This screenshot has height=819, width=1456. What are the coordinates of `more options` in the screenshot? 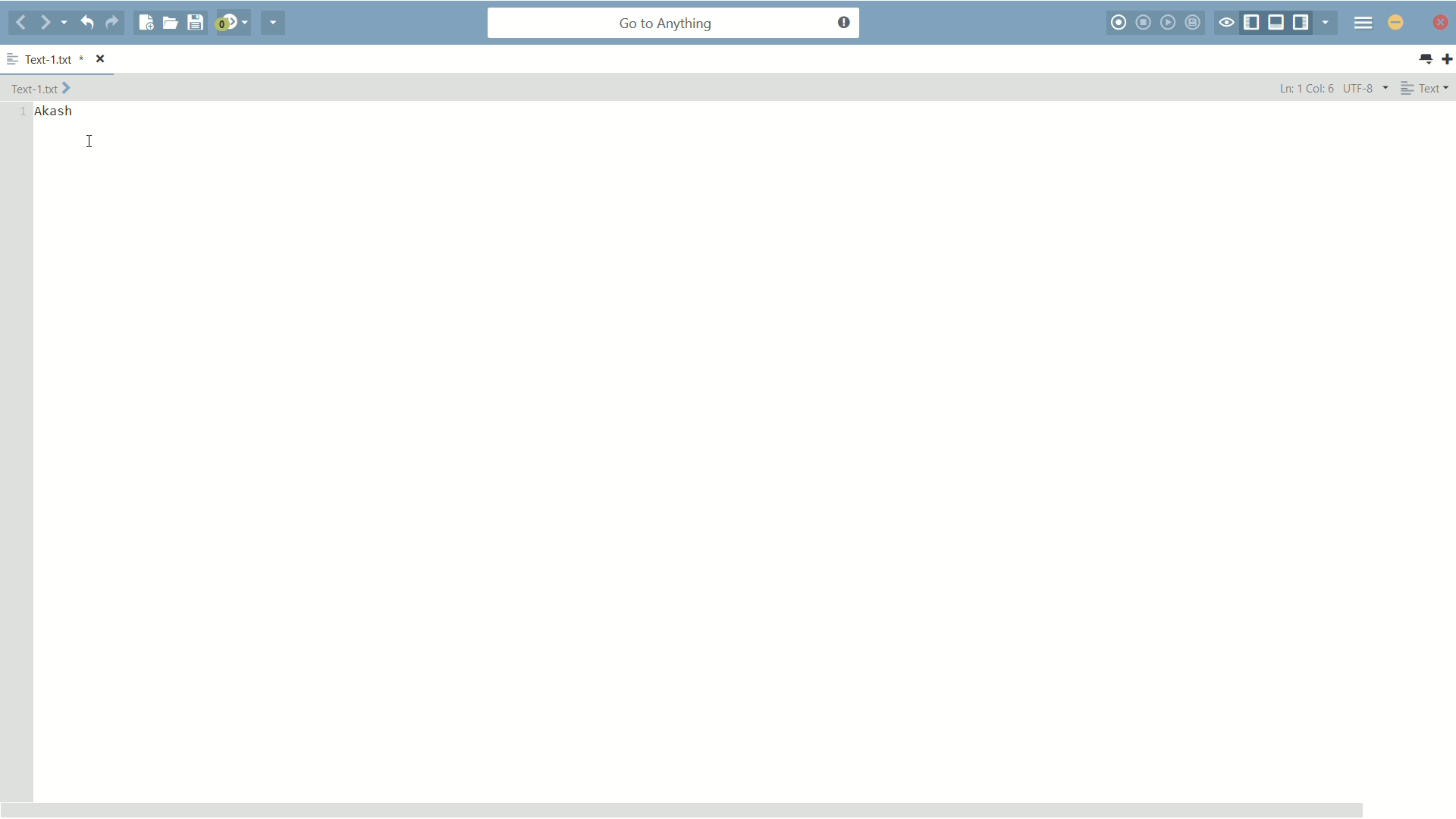 It's located at (12, 56).